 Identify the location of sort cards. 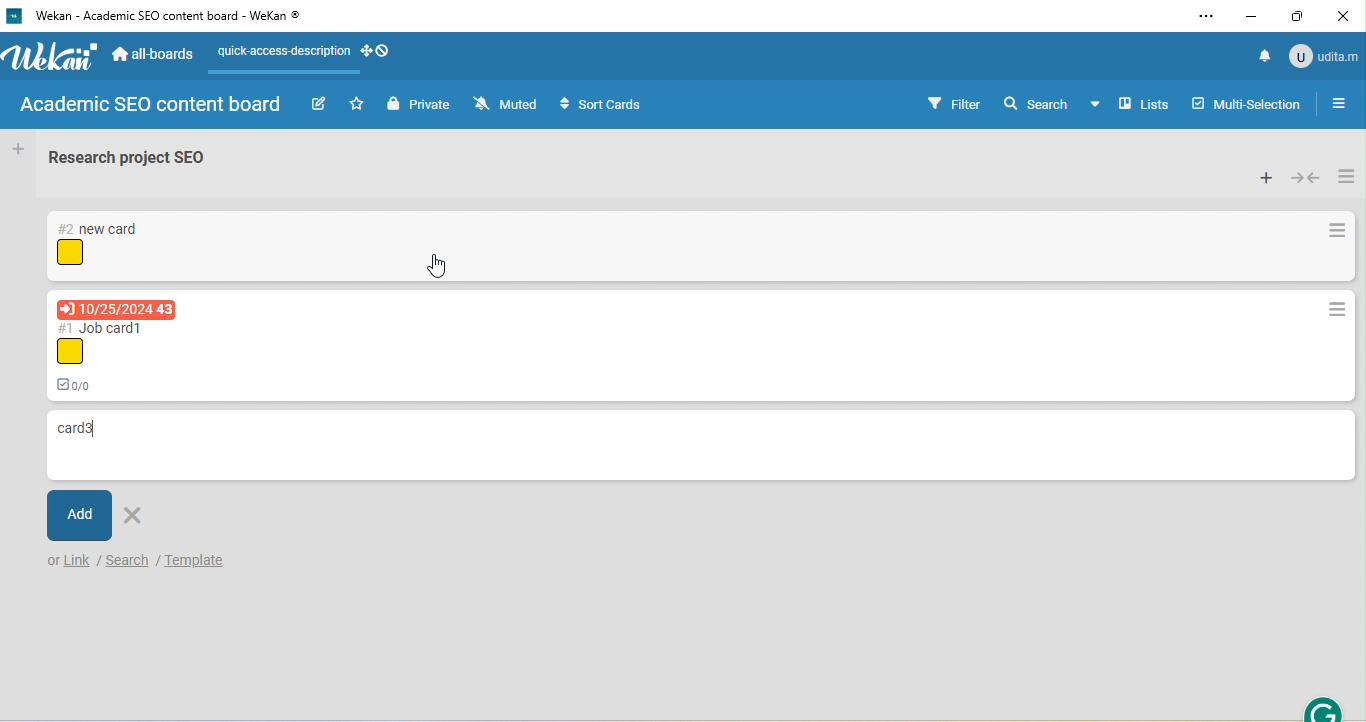
(606, 106).